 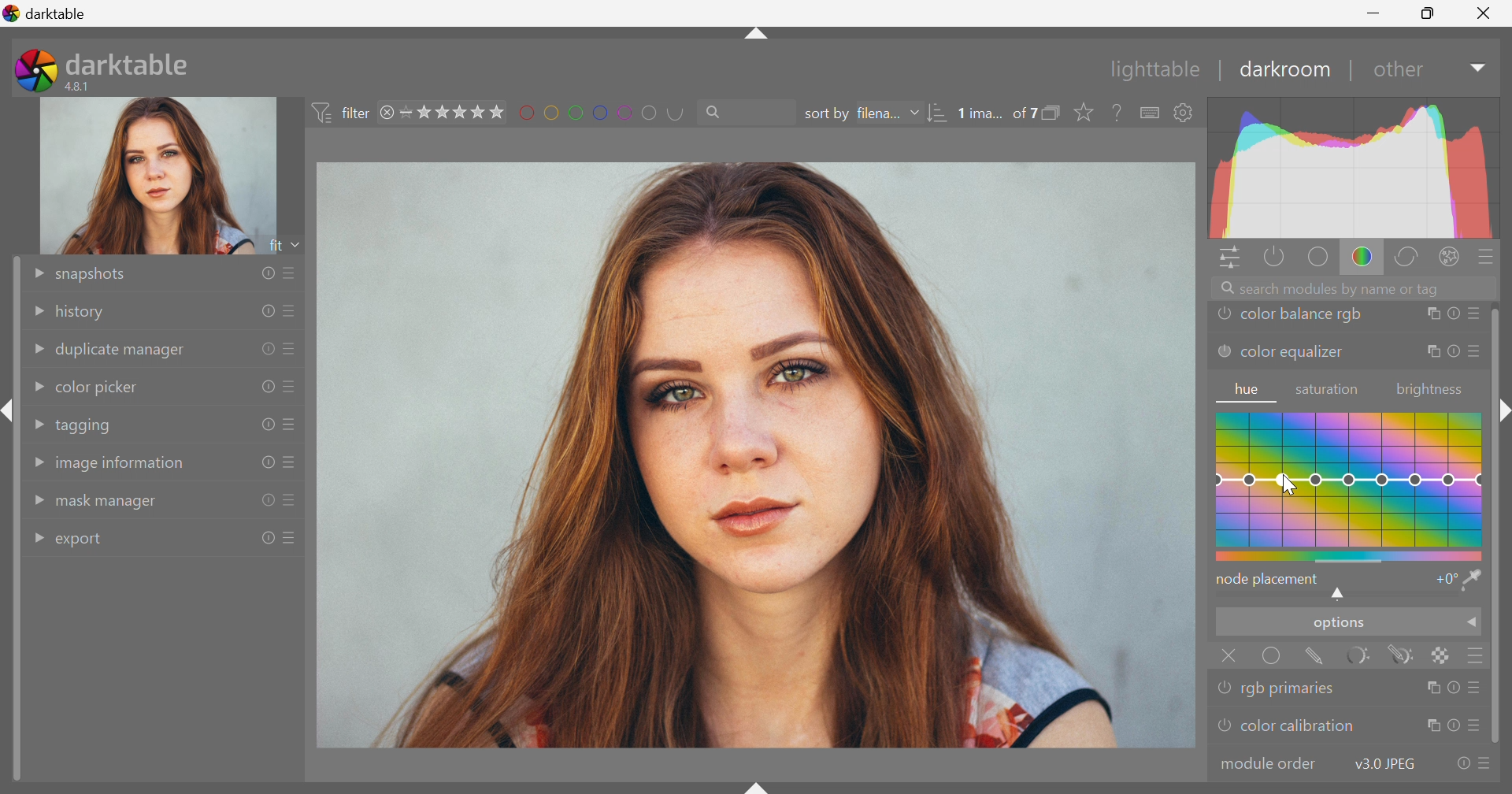 I want to click on snapshots, so click(x=95, y=274).